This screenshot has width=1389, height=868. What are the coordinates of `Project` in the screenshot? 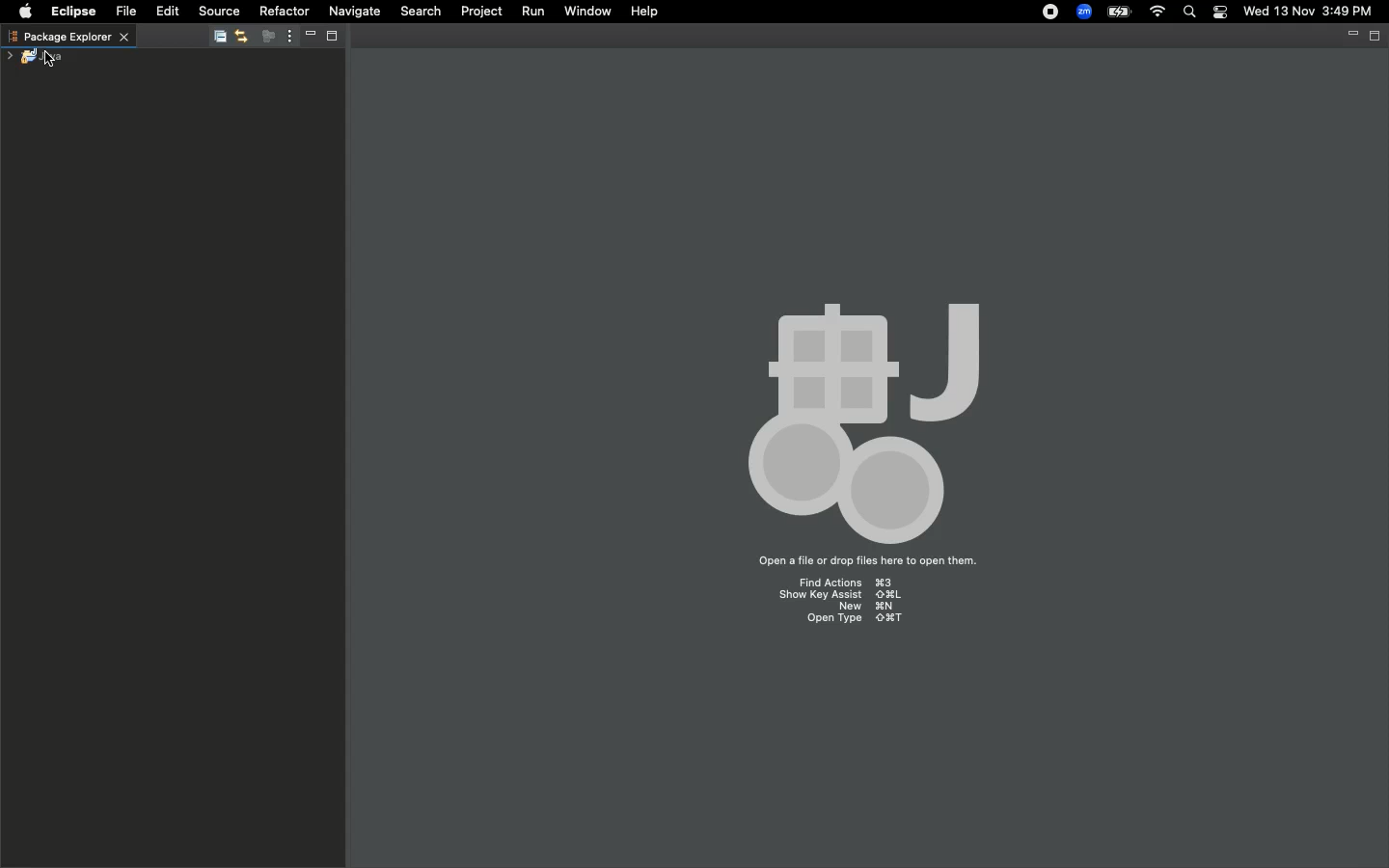 It's located at (482, 13).